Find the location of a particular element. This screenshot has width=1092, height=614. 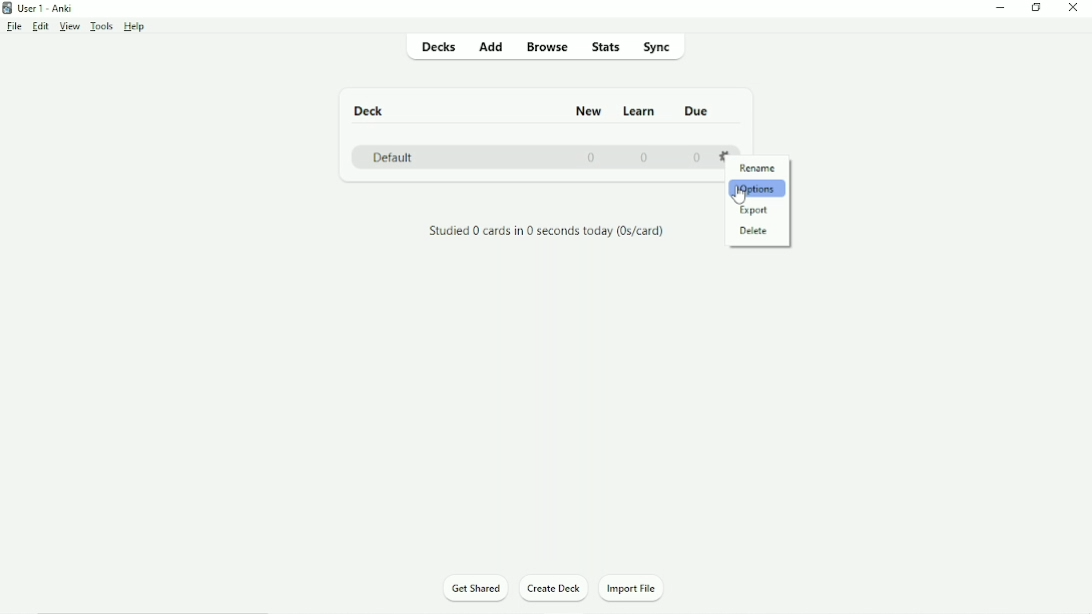

Export is located at coordinates (754, 210).